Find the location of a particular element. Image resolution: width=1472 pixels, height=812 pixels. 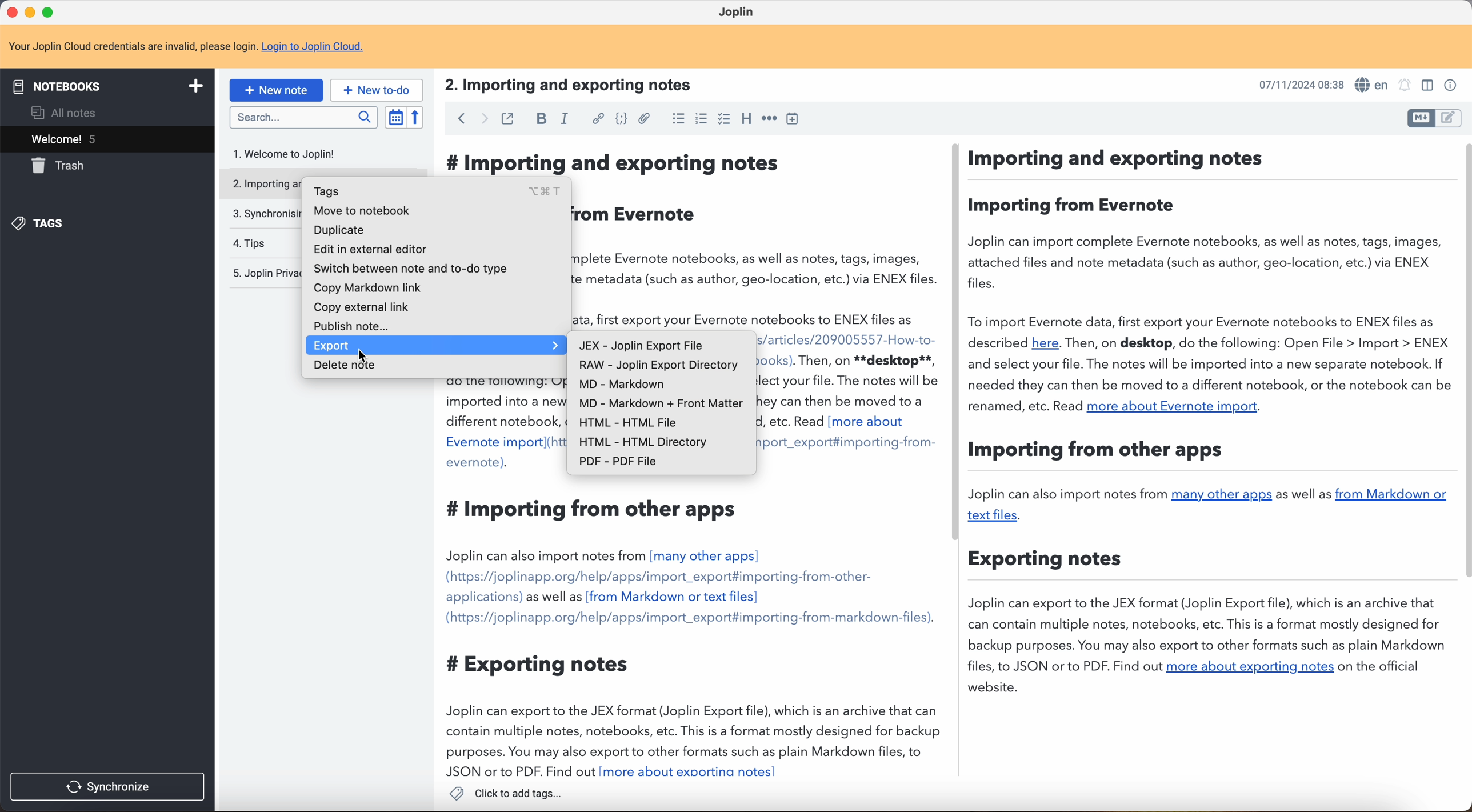

JEX is located at coordinates (641, 346).